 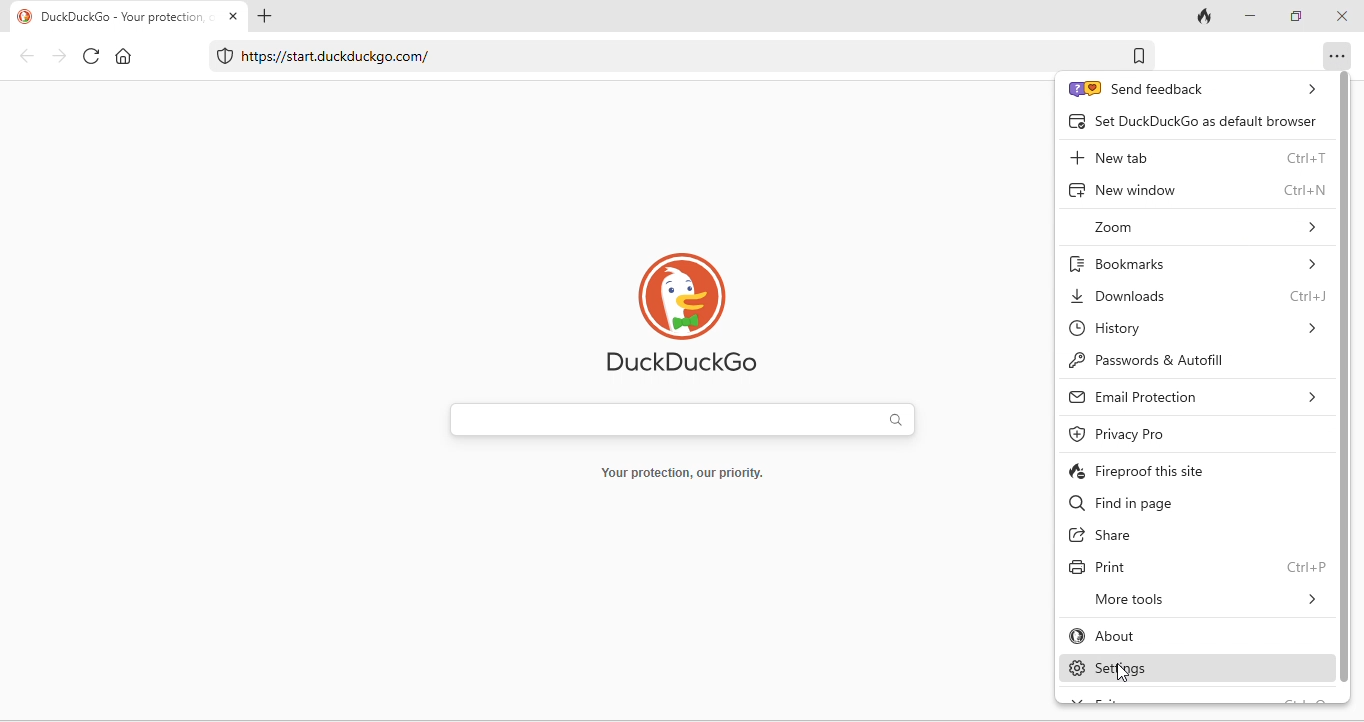 What do you see at coordinates (1349, 379) in the screenshot?
I see `vertical scroll bar` at bounding box center [1349, 379].